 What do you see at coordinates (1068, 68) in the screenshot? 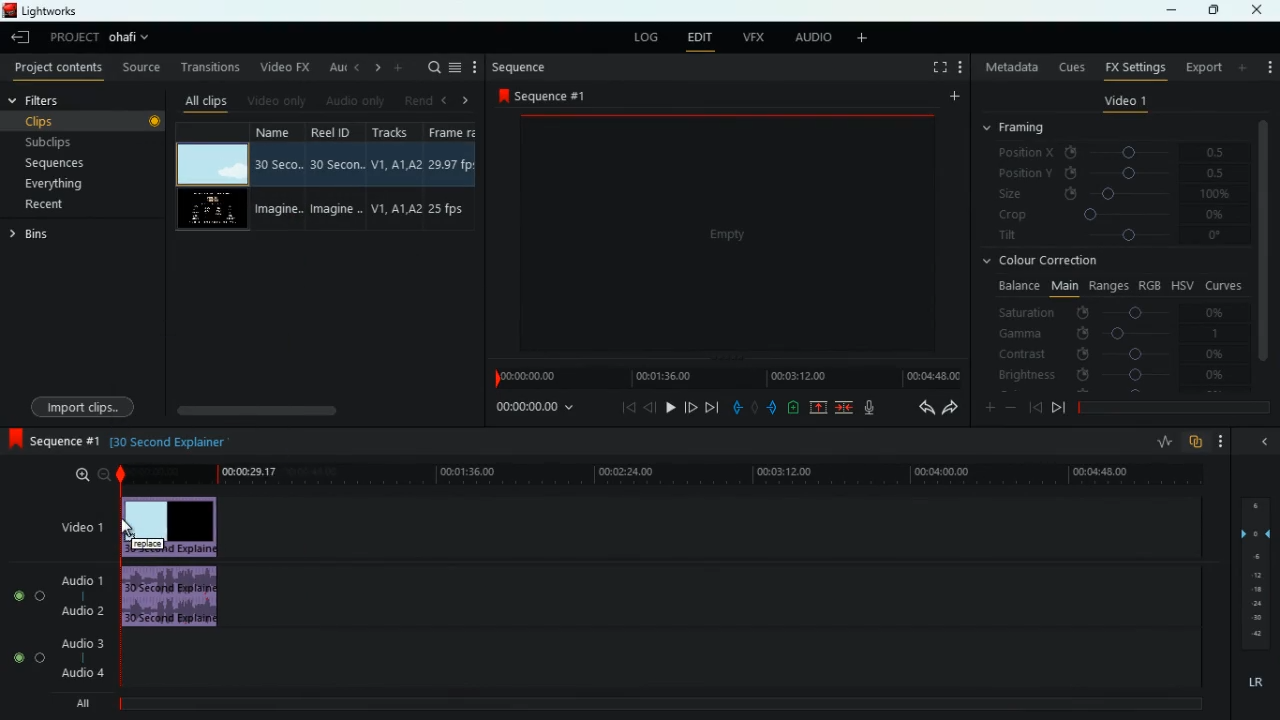
I see `cues` at bounding box center [1068, 68].